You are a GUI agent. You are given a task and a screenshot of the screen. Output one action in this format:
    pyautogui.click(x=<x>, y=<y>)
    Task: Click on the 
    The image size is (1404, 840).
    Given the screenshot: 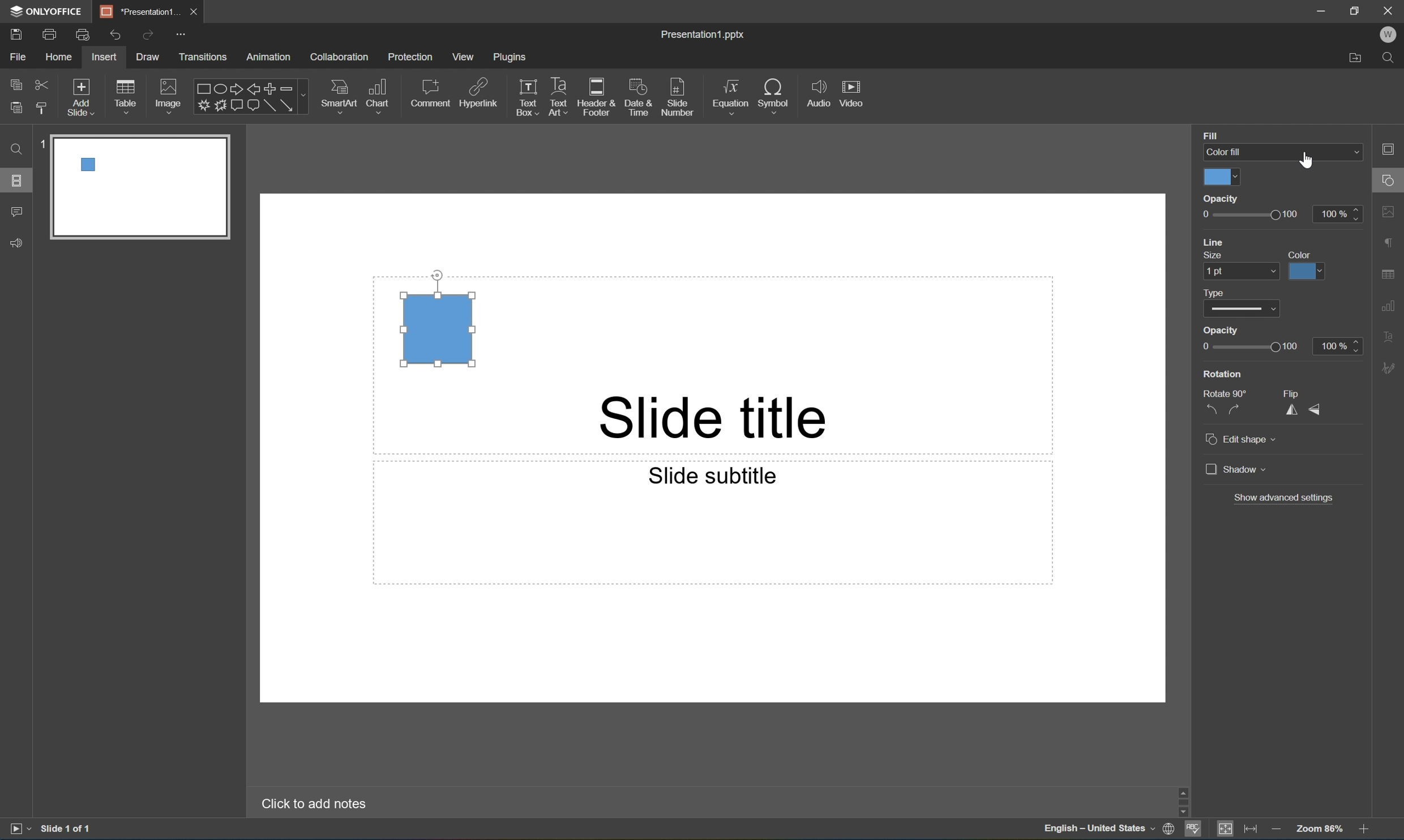 What is the action you would take?
    pyautogui.click(x=236, y=104)
    